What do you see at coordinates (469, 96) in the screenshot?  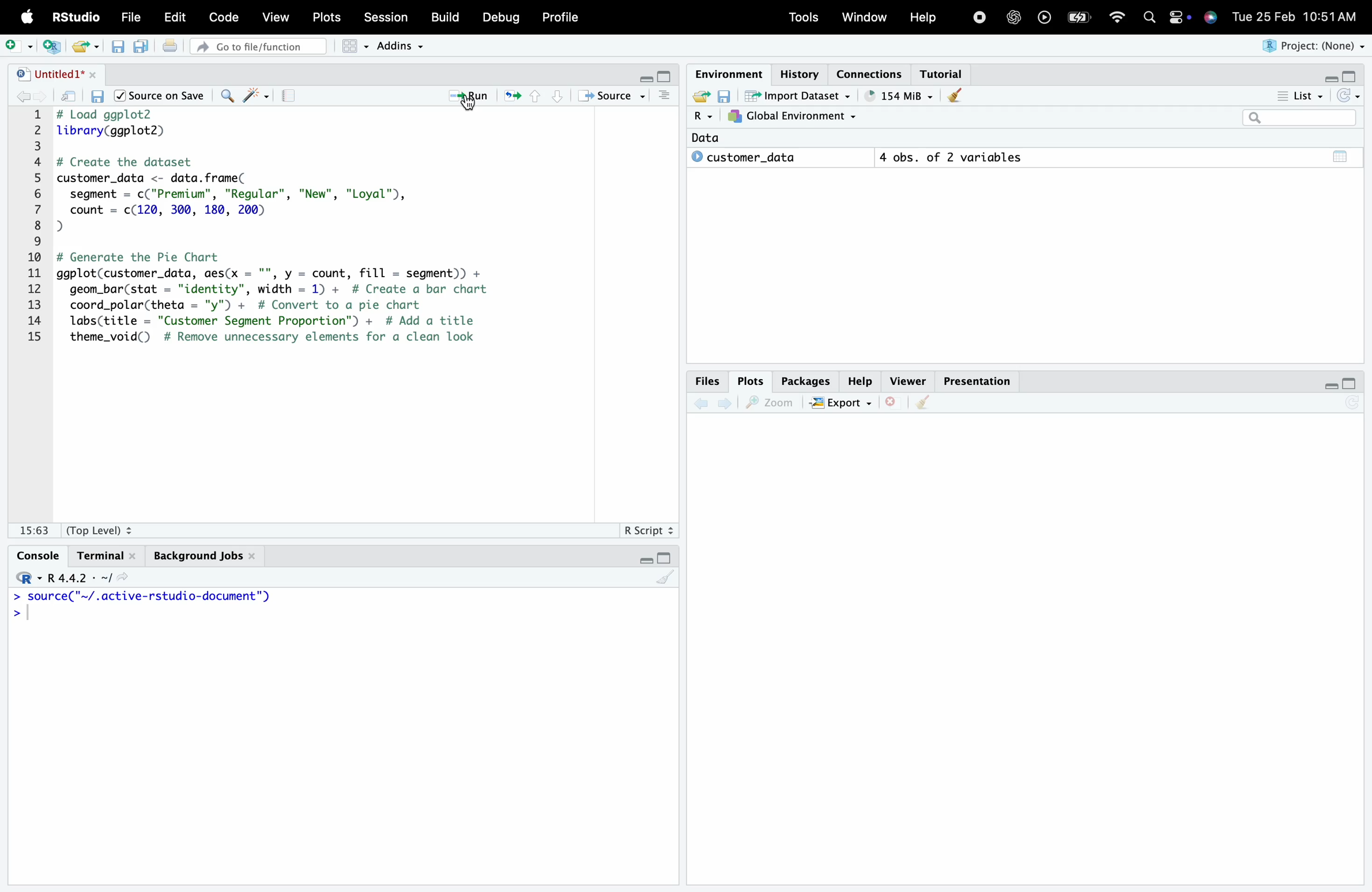 I see `Run` at bounding box center [469, 96].